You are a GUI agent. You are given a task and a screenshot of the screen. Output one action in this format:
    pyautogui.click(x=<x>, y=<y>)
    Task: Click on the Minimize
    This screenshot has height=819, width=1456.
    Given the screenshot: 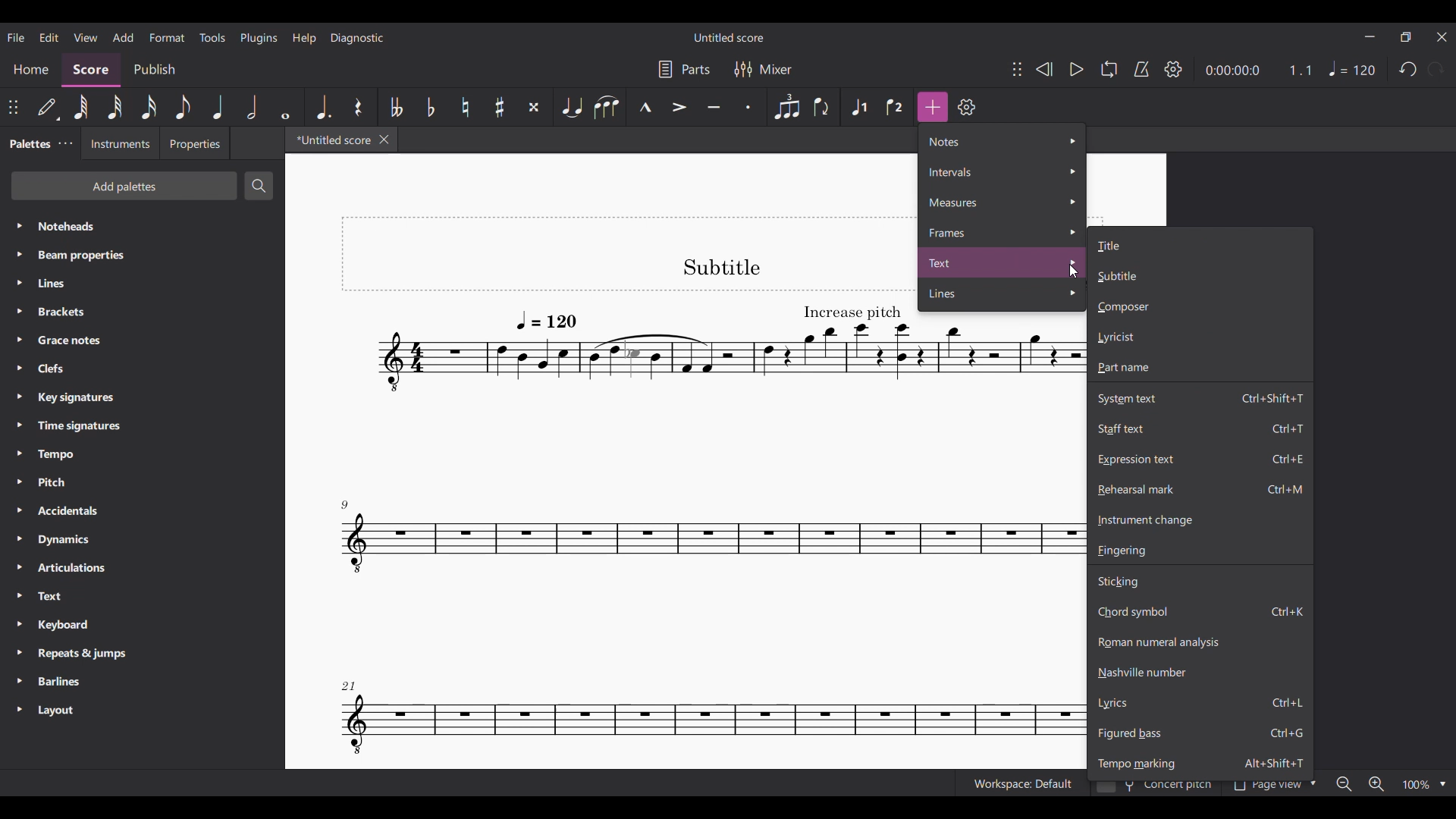 What is the action you would take?
    pyautogui.click(x=1370, y=36)
    